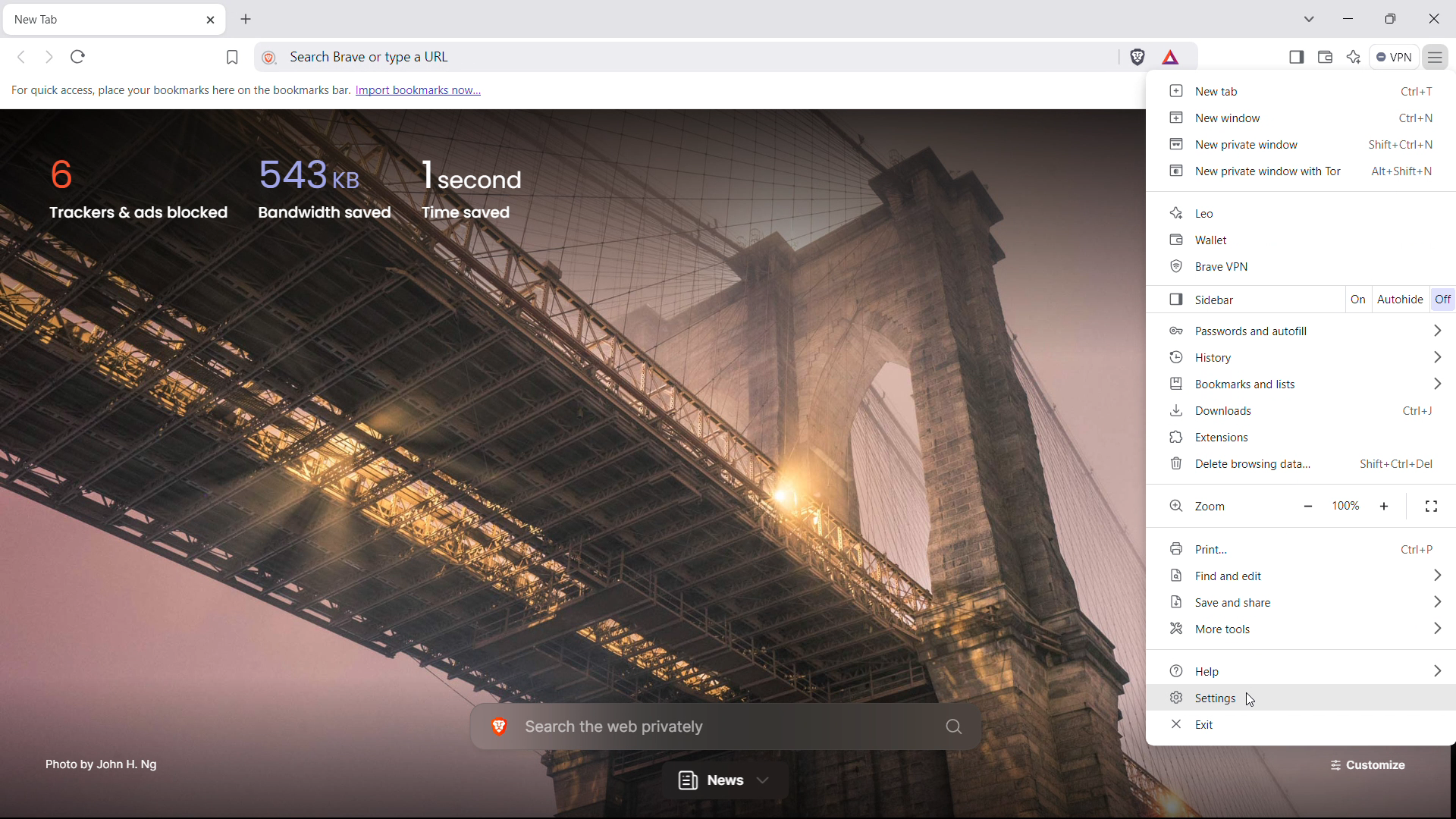  What do you see at coordinates (209, 20) in the screenshot?
I see `close tab` at bounding box center [209, 20].